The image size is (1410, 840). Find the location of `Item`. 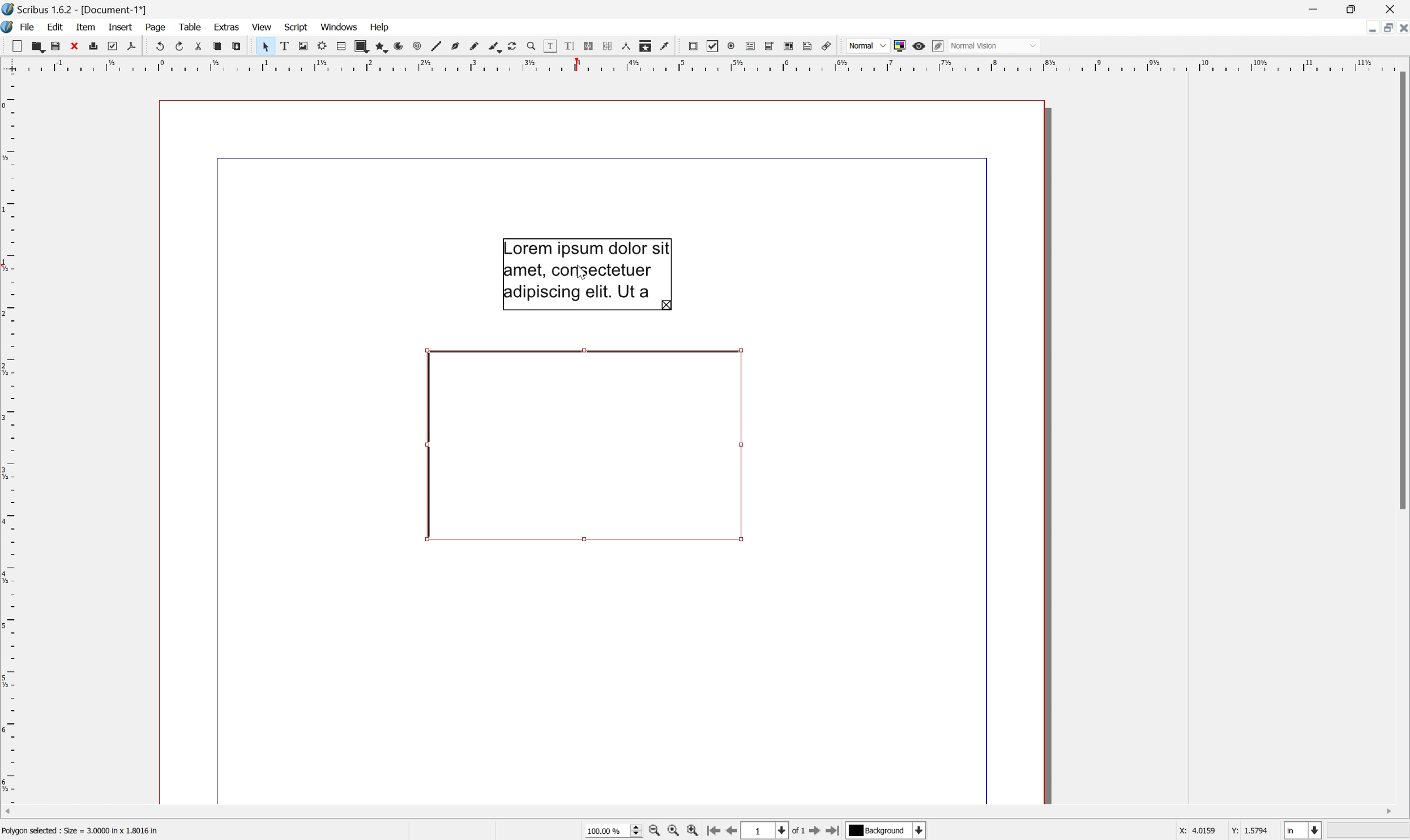

Item is located at coordinates (87, 27).